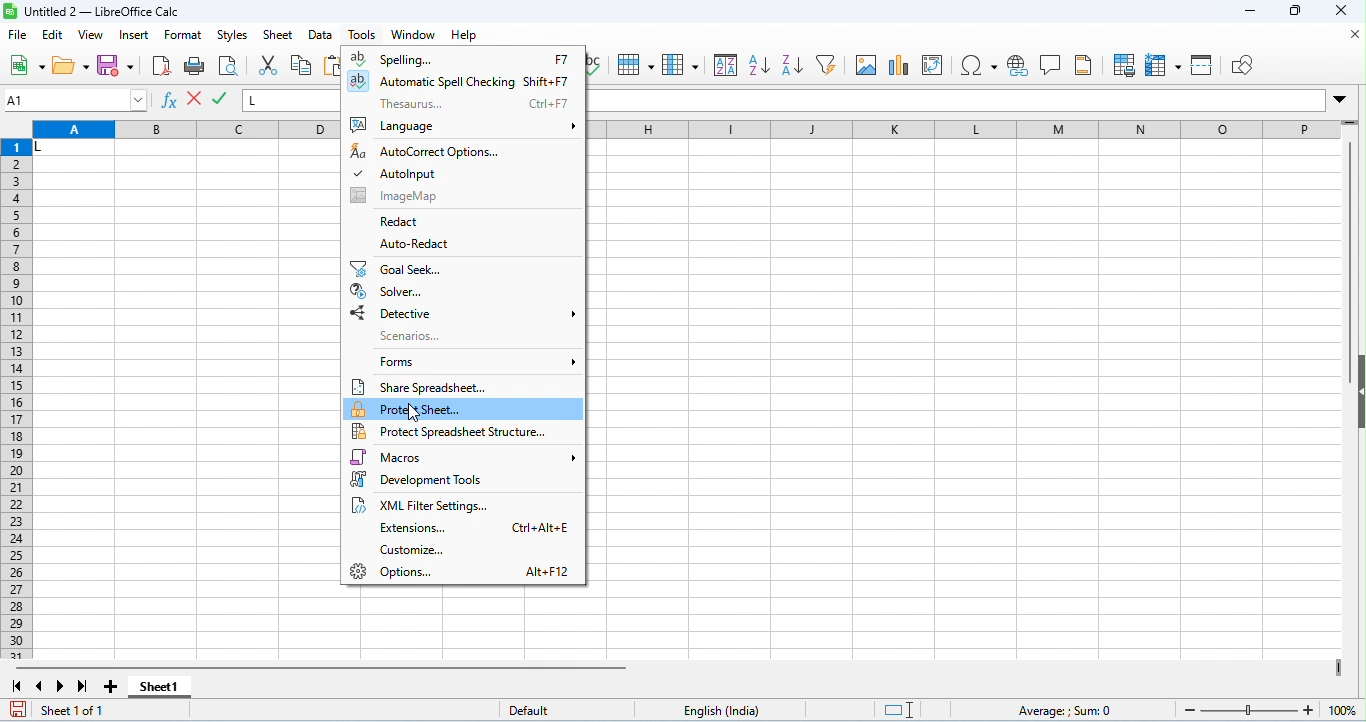 Image resolution: width=1366 pixels, height=722 pixels. I want to click on spelling, so click(598, 67).